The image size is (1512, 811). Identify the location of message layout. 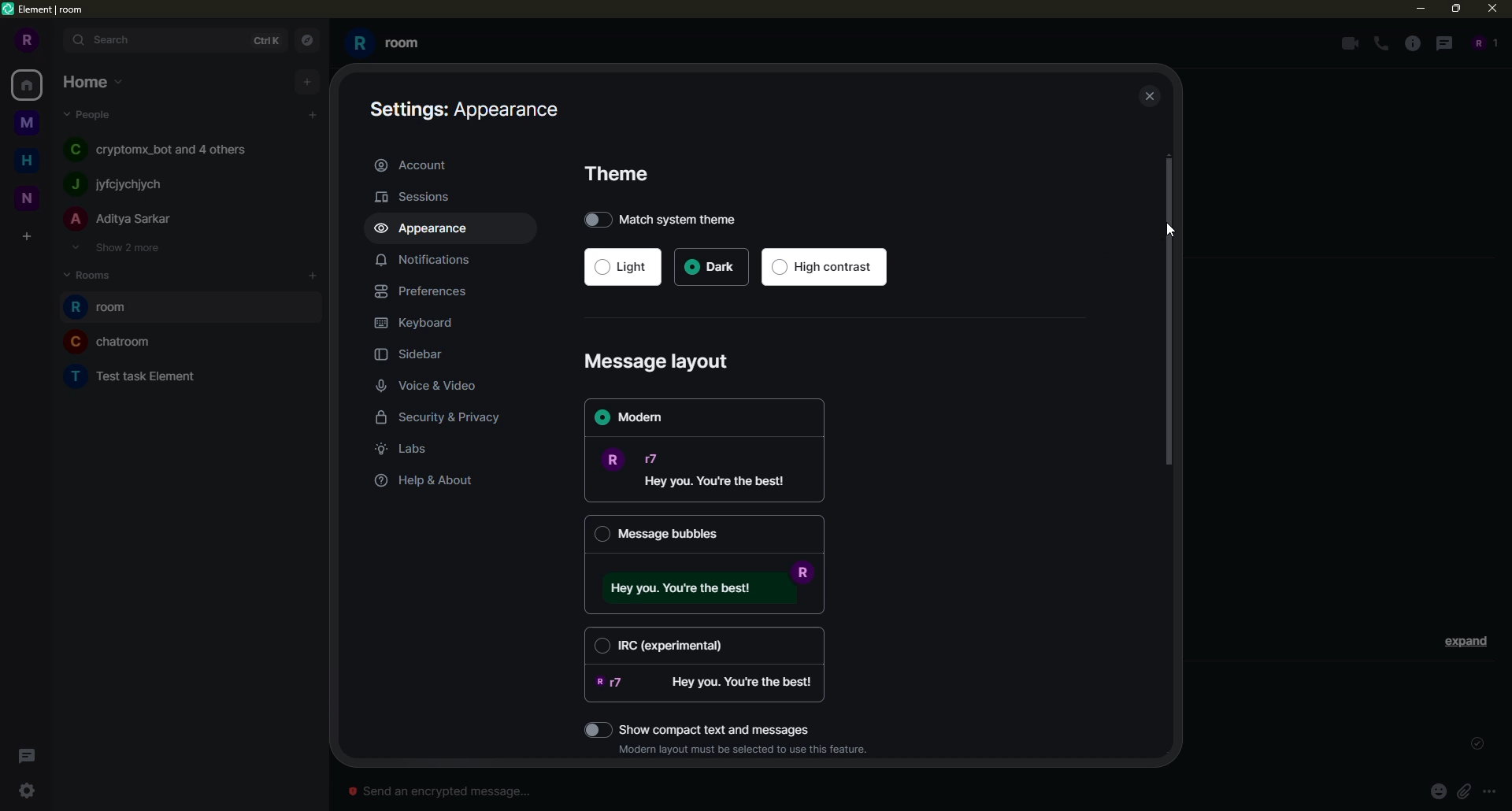
(701, 468).